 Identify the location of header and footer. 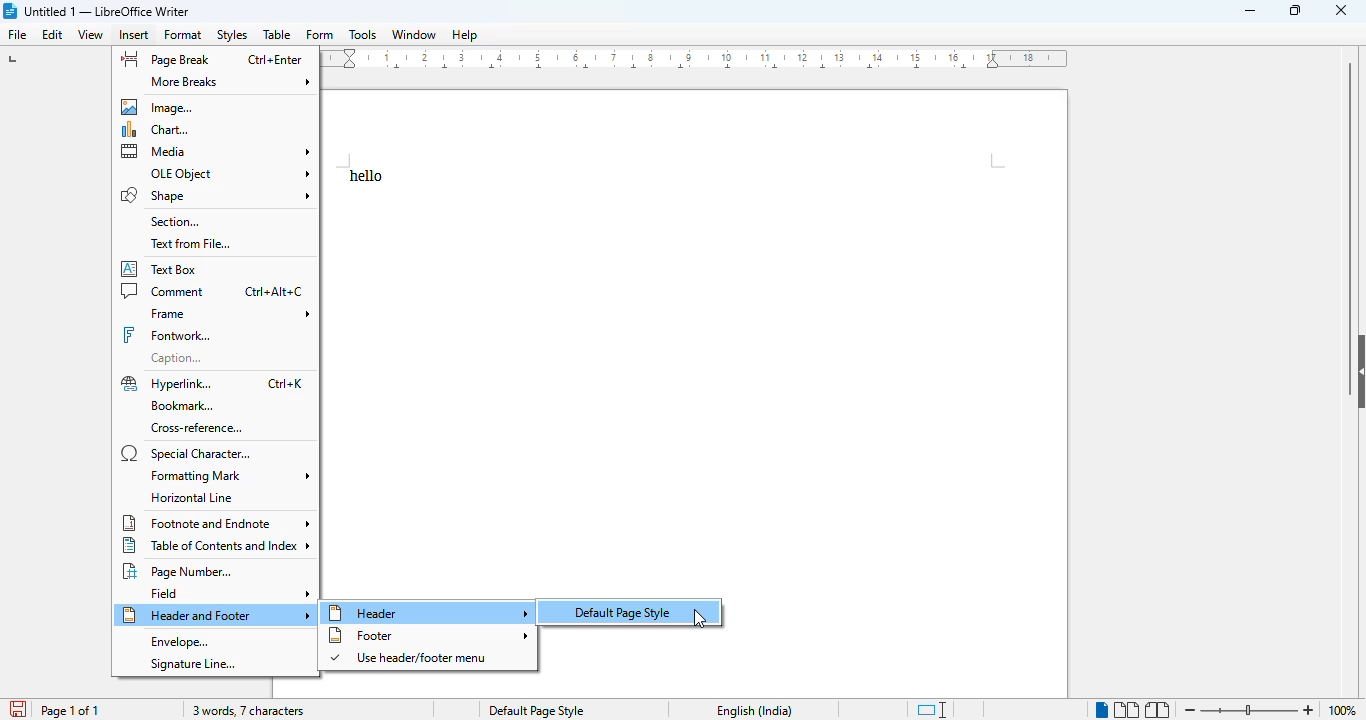
(217, 616).